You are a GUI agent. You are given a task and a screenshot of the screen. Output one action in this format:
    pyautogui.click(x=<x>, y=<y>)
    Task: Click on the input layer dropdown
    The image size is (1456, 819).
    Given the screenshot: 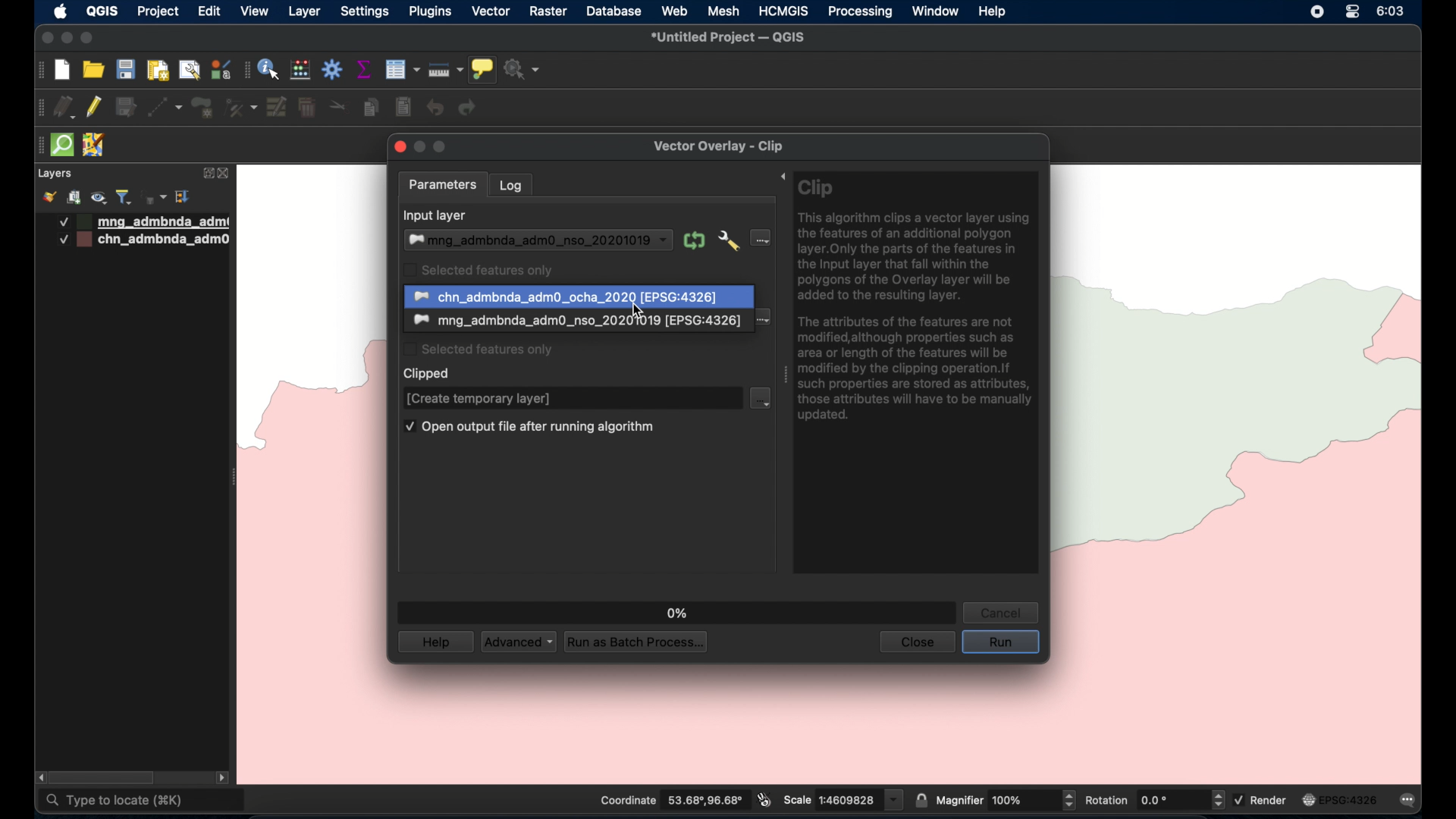 What is the action you would take?
    pyautogui.click(x=537, y=240)
    